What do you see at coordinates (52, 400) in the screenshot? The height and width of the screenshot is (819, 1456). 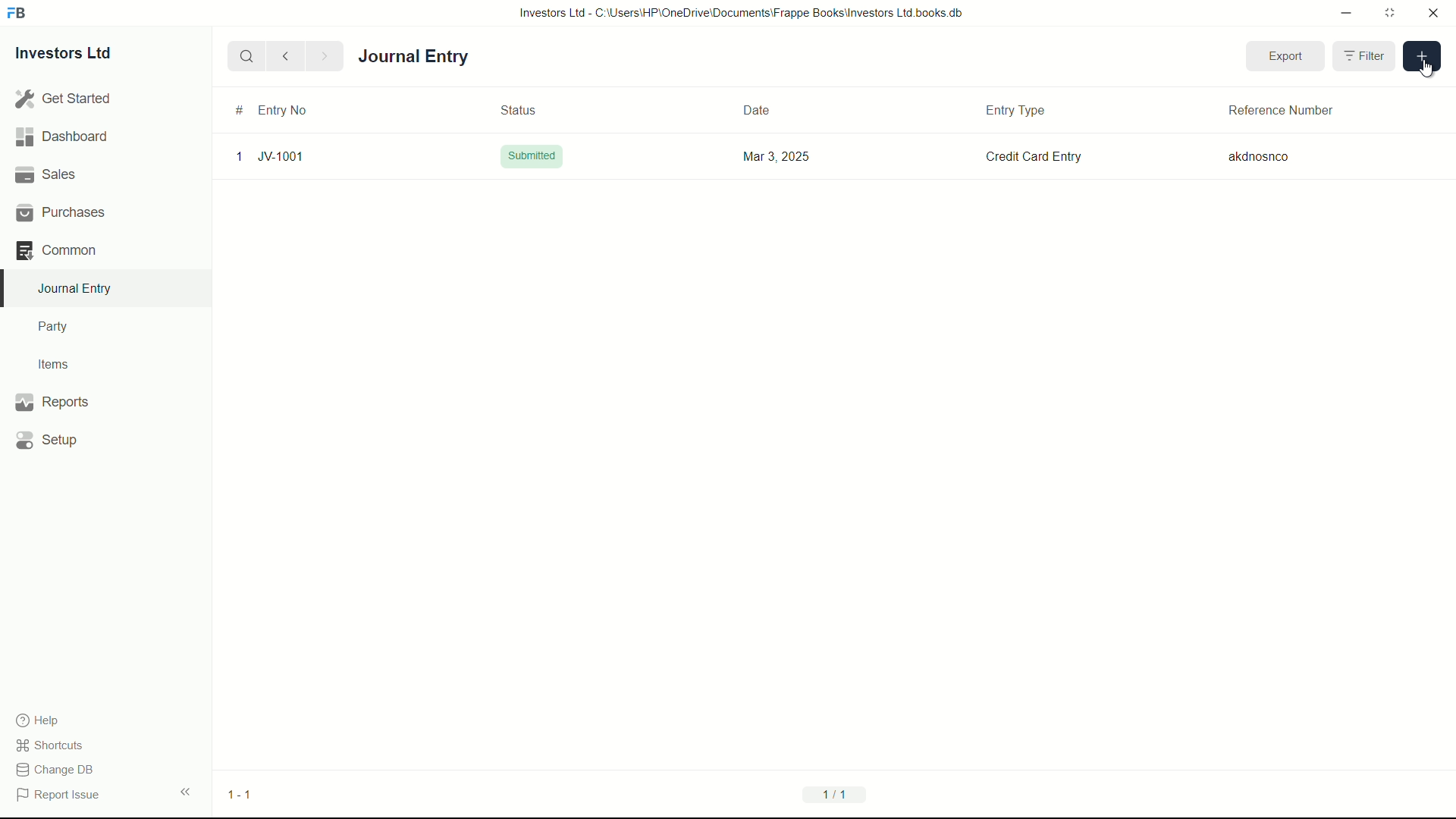 I see `Reports .` at bounding box center [52, 400].